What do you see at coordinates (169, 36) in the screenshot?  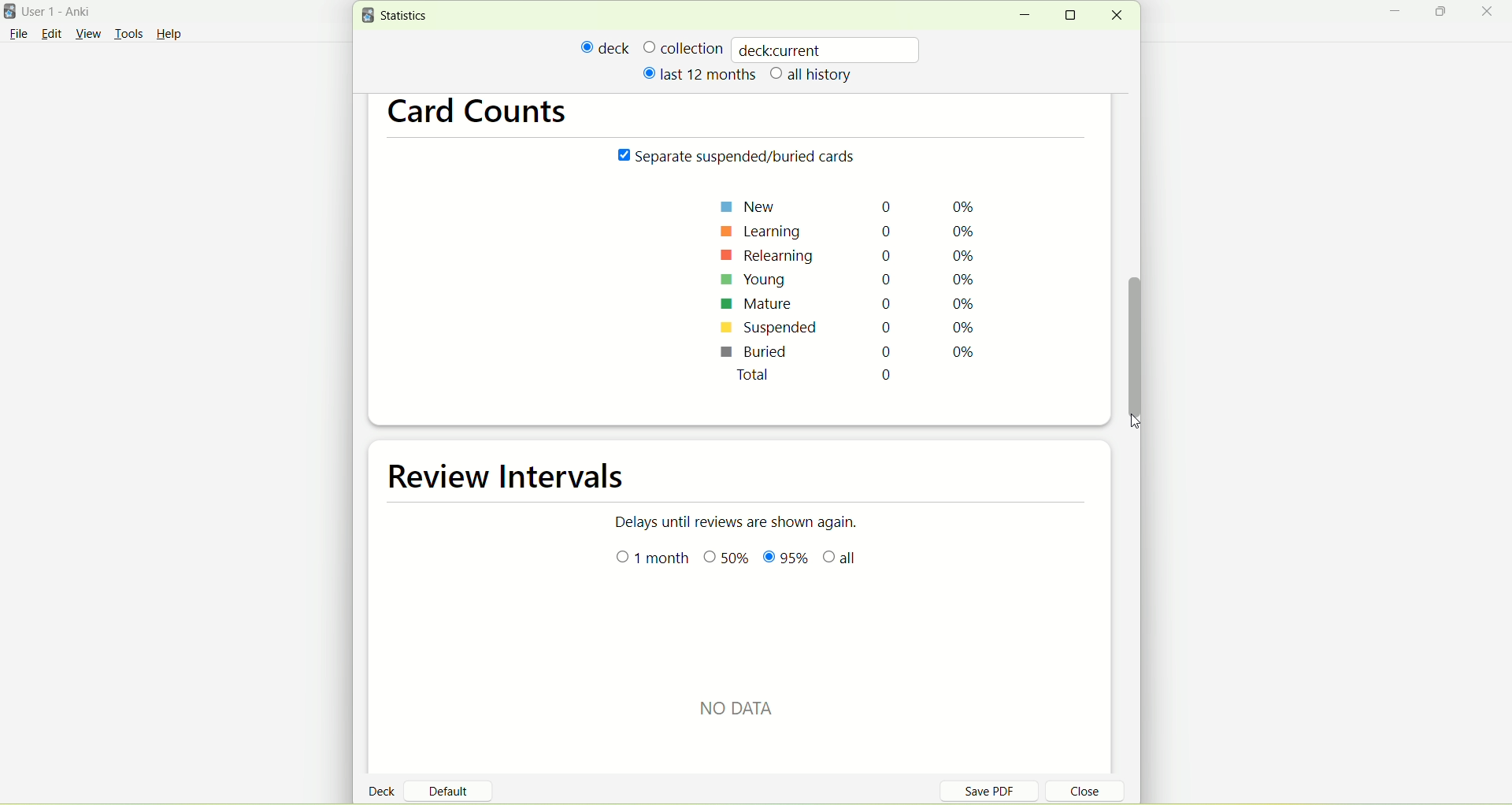 I see `Help` at bounding box center [169, 36].